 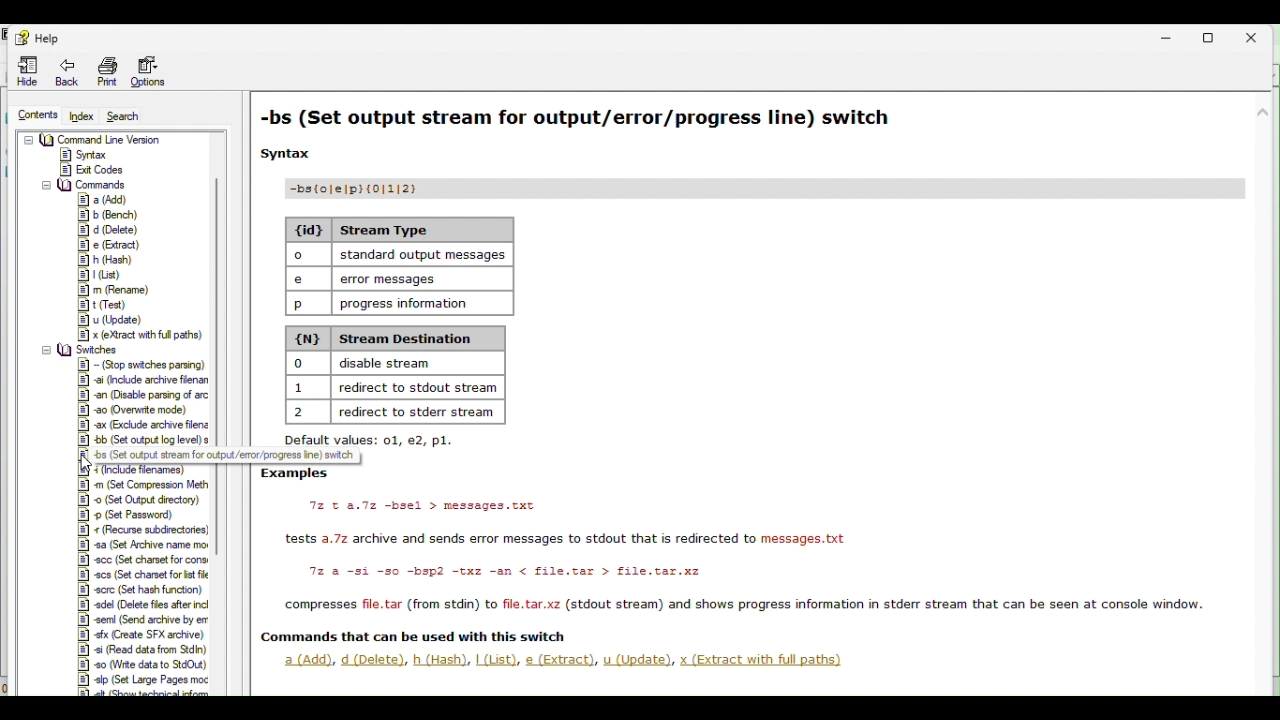 I want to click on Index, so click(x=80, y=118).